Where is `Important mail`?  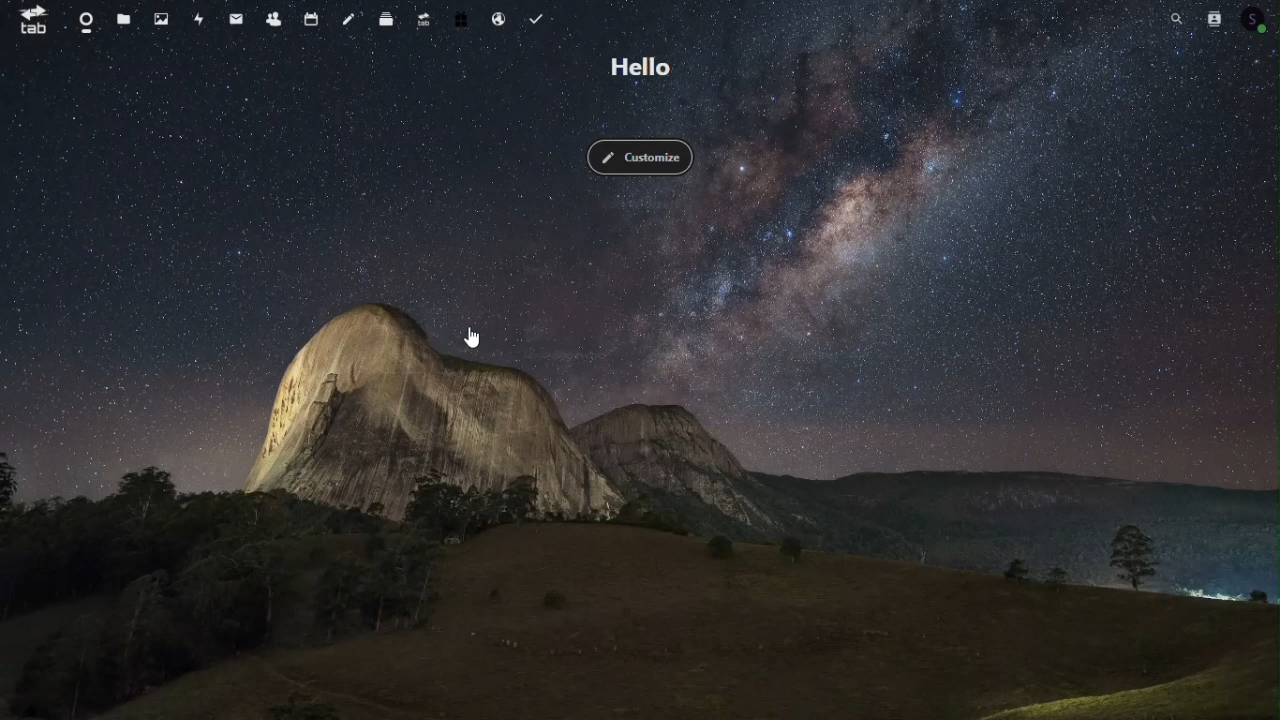
Important mail is located at coordinates (234, 19).